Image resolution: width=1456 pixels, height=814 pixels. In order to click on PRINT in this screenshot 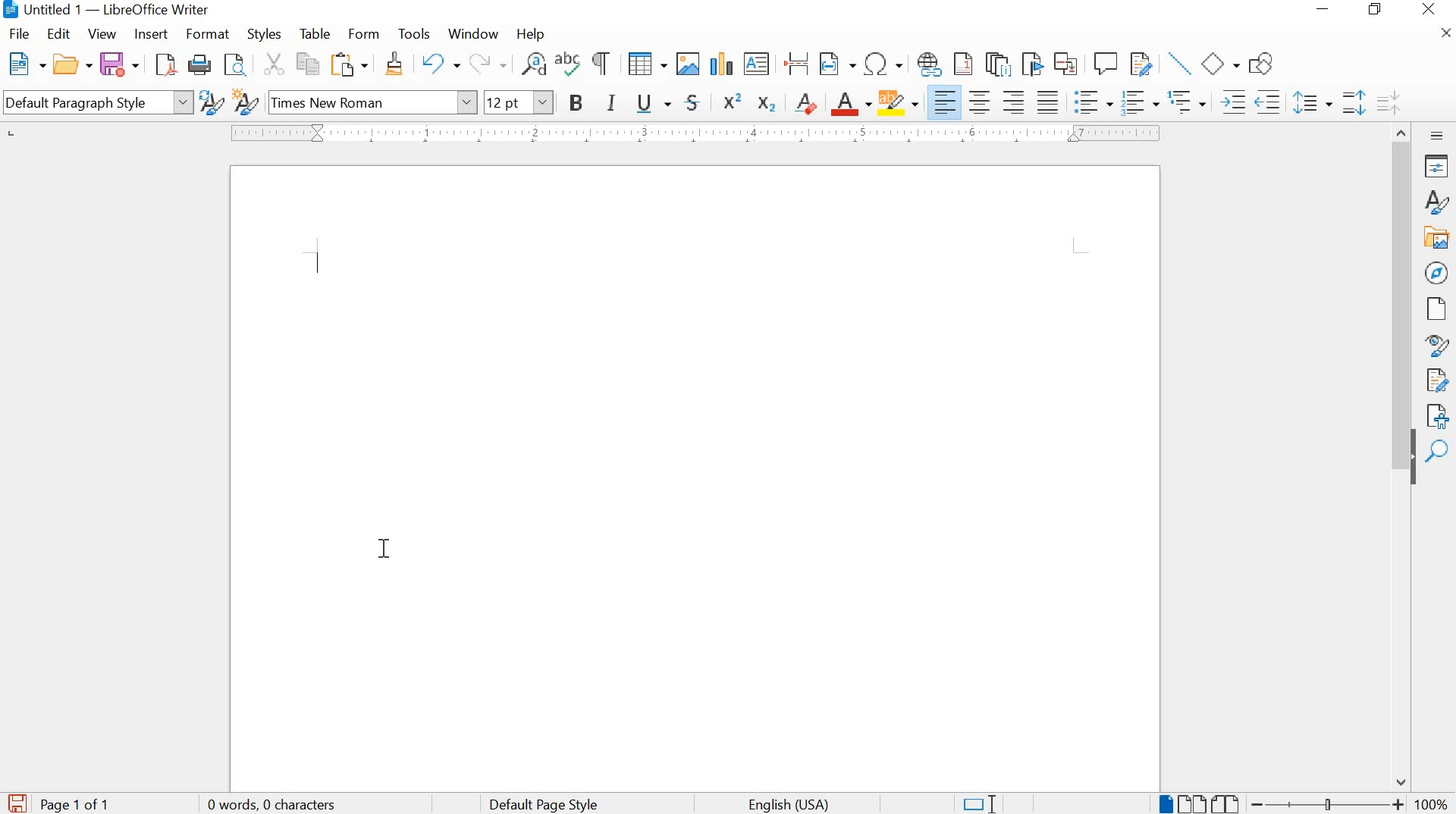, I will do `click(199, 65)`.